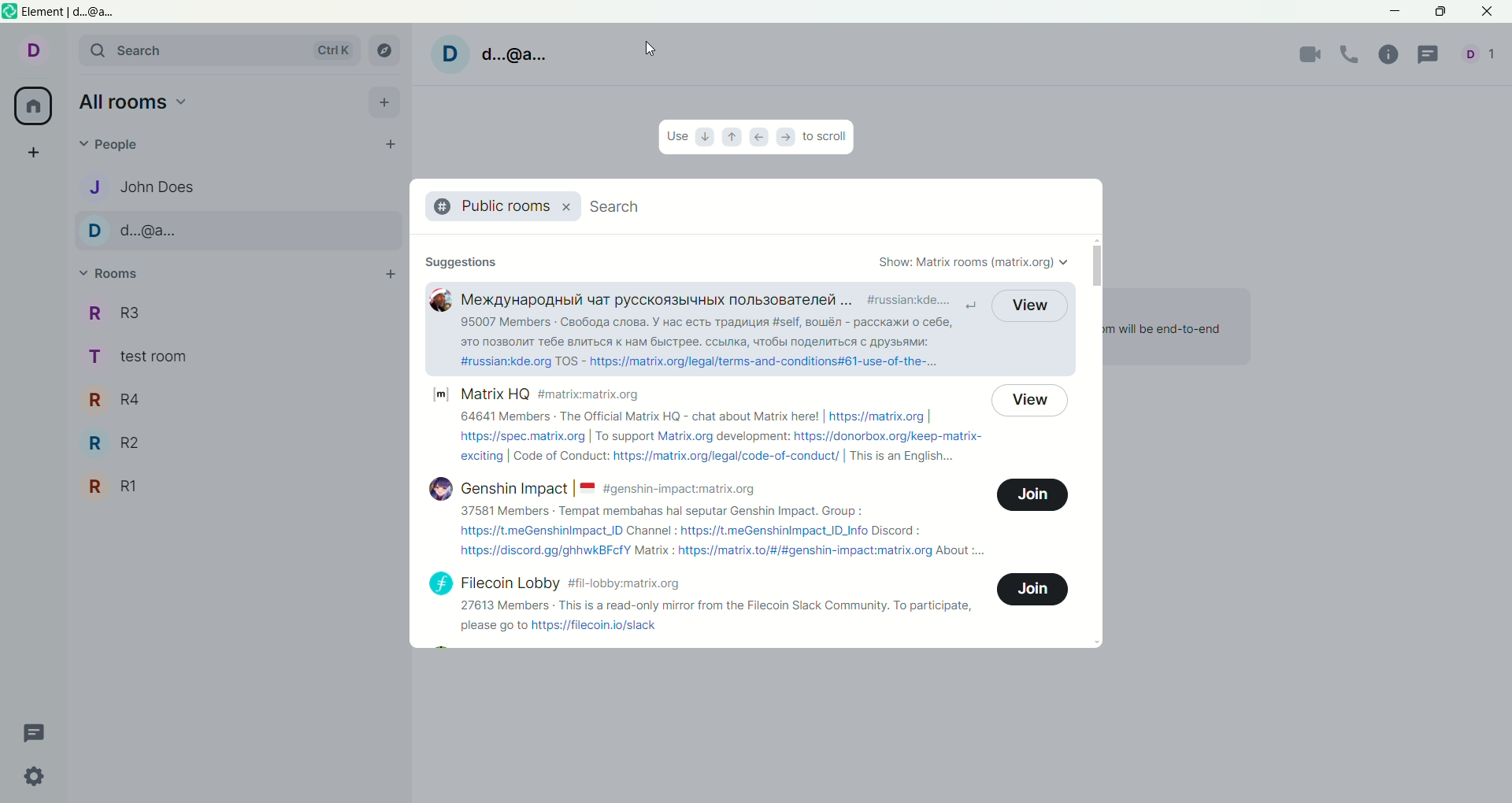  Describe the element at coordinates (888, 437) in the screenshot. I see `https://donorbox.org/keep-matrix-` at that location.